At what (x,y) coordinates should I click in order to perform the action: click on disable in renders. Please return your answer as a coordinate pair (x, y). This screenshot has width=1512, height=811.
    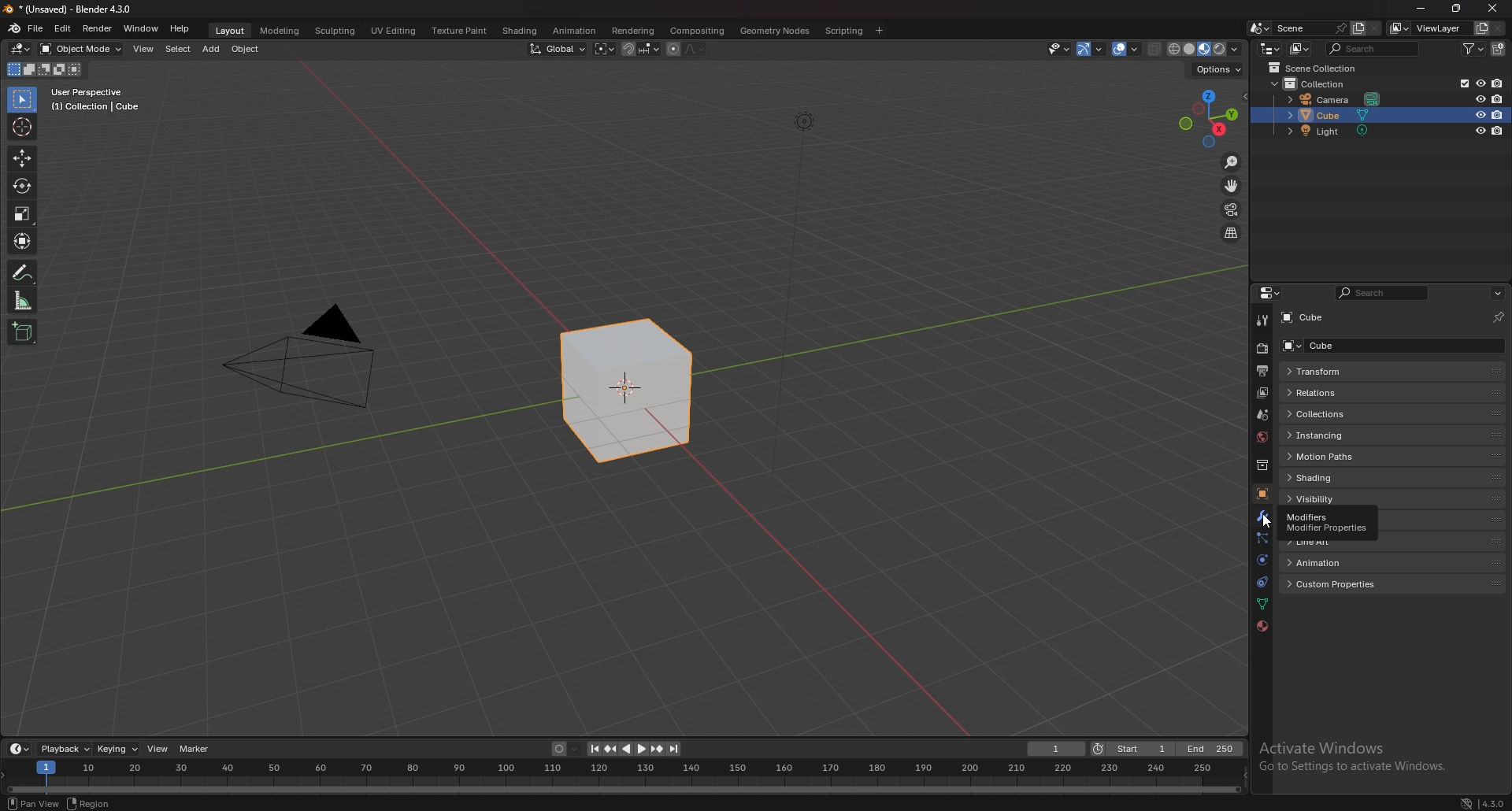
    Looking at the image, I should click on (1497, 114).